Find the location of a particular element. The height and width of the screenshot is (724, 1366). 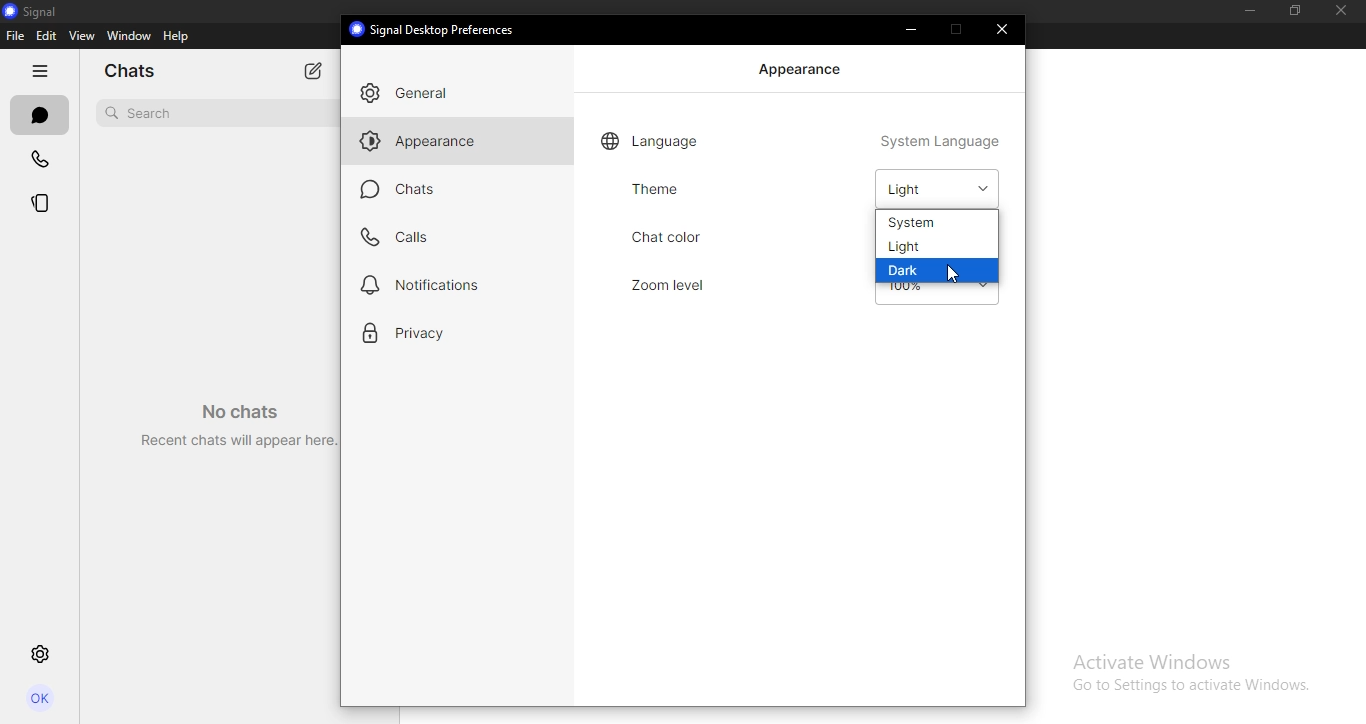

light is located at coordinates (905, 248).